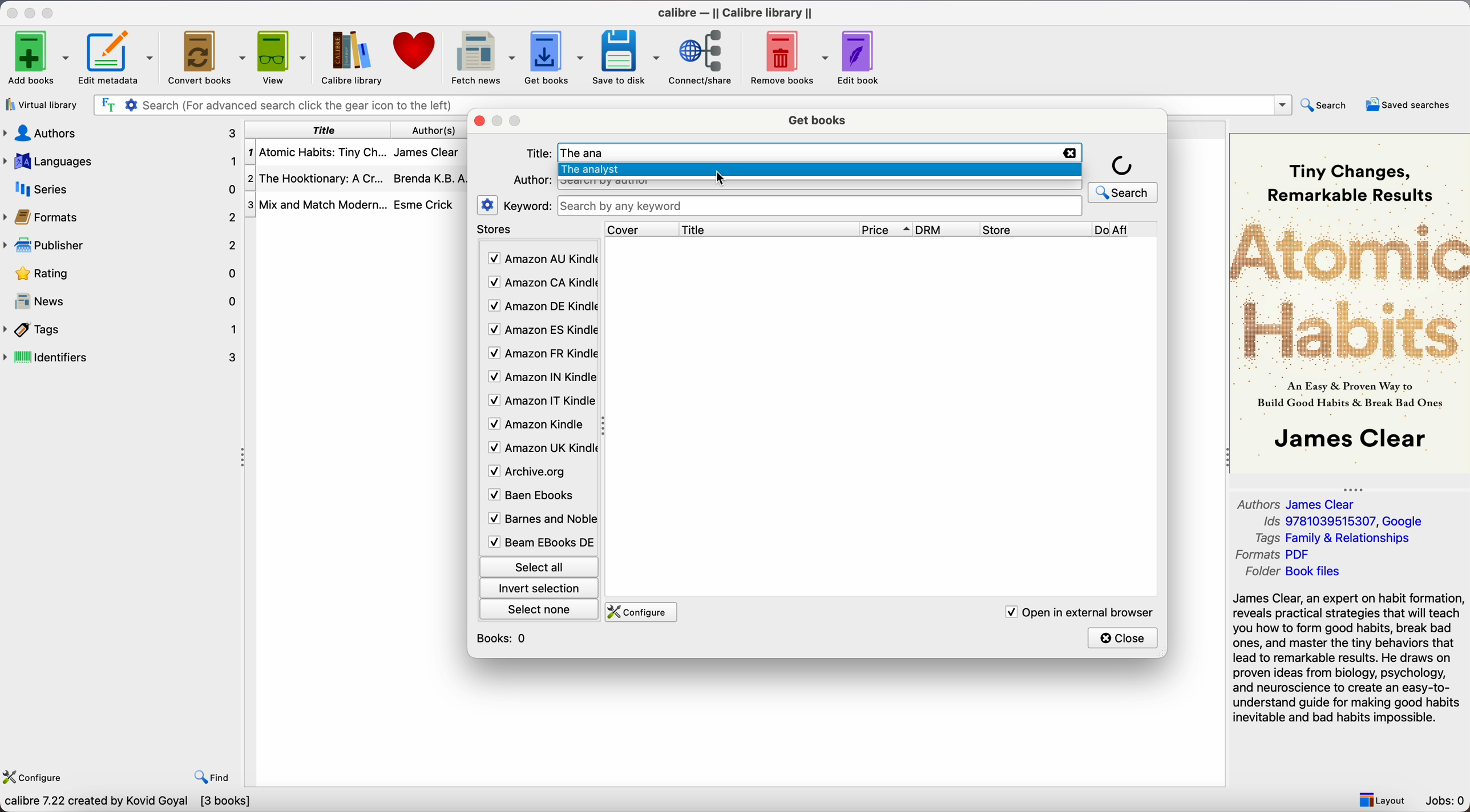  What do you see at coordinates (41, 106) in the screenshot?
I see `virtual library` at bounding box center [41, 106].